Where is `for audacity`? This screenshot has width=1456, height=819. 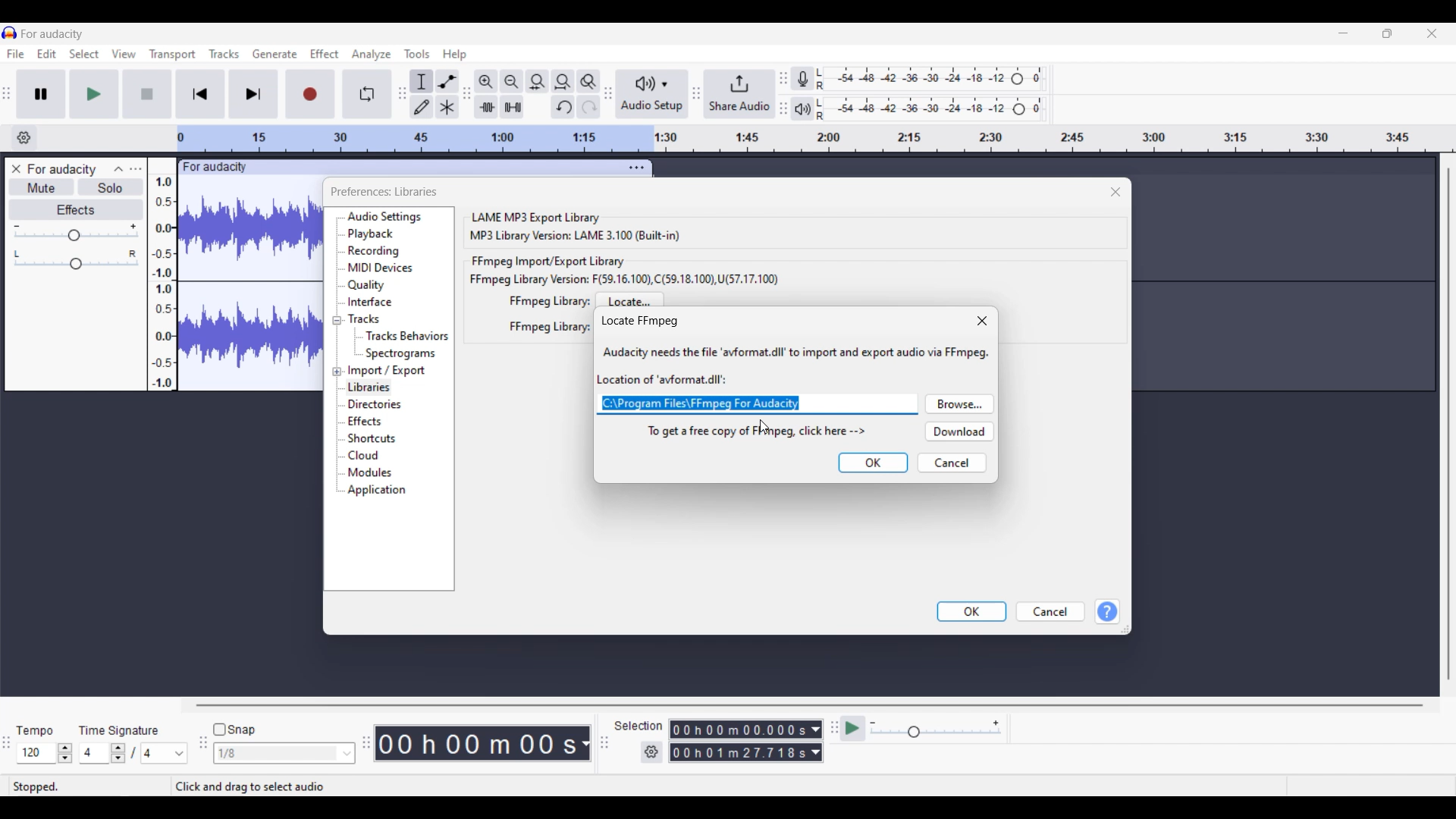
for audacity is located at coordinates (52, 34).